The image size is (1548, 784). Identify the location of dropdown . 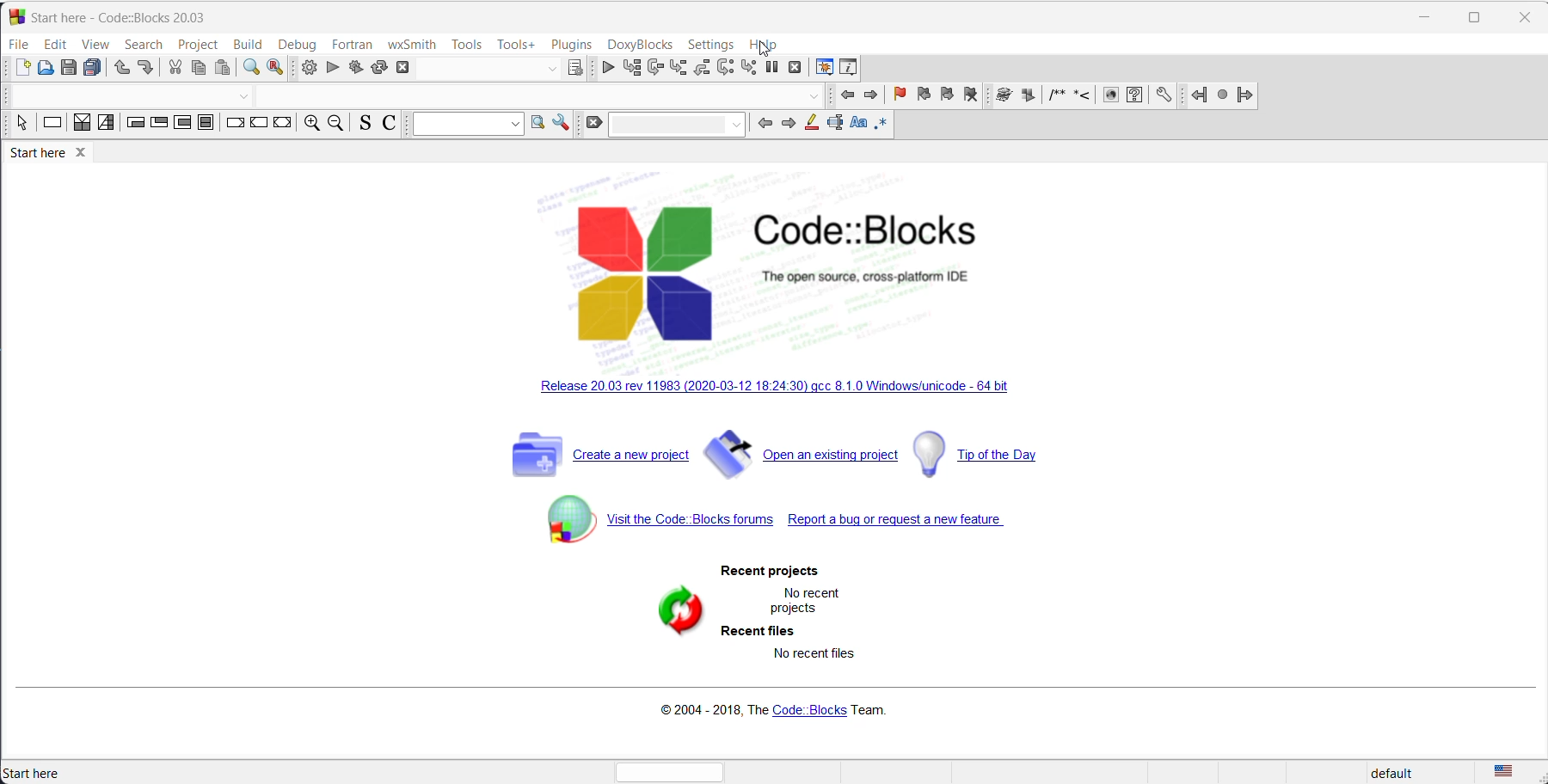
(552, 68).